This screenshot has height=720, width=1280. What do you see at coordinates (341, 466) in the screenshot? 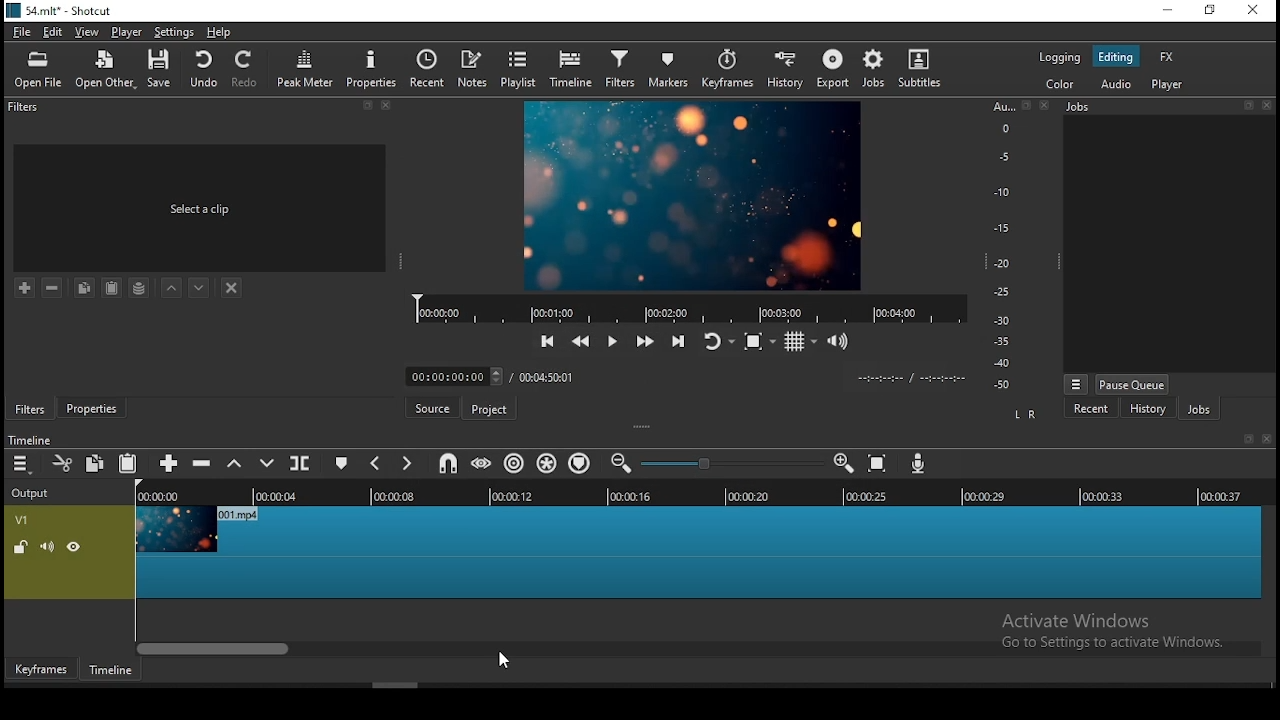
I see `create/edit marker` at bounding box center [341, 466].